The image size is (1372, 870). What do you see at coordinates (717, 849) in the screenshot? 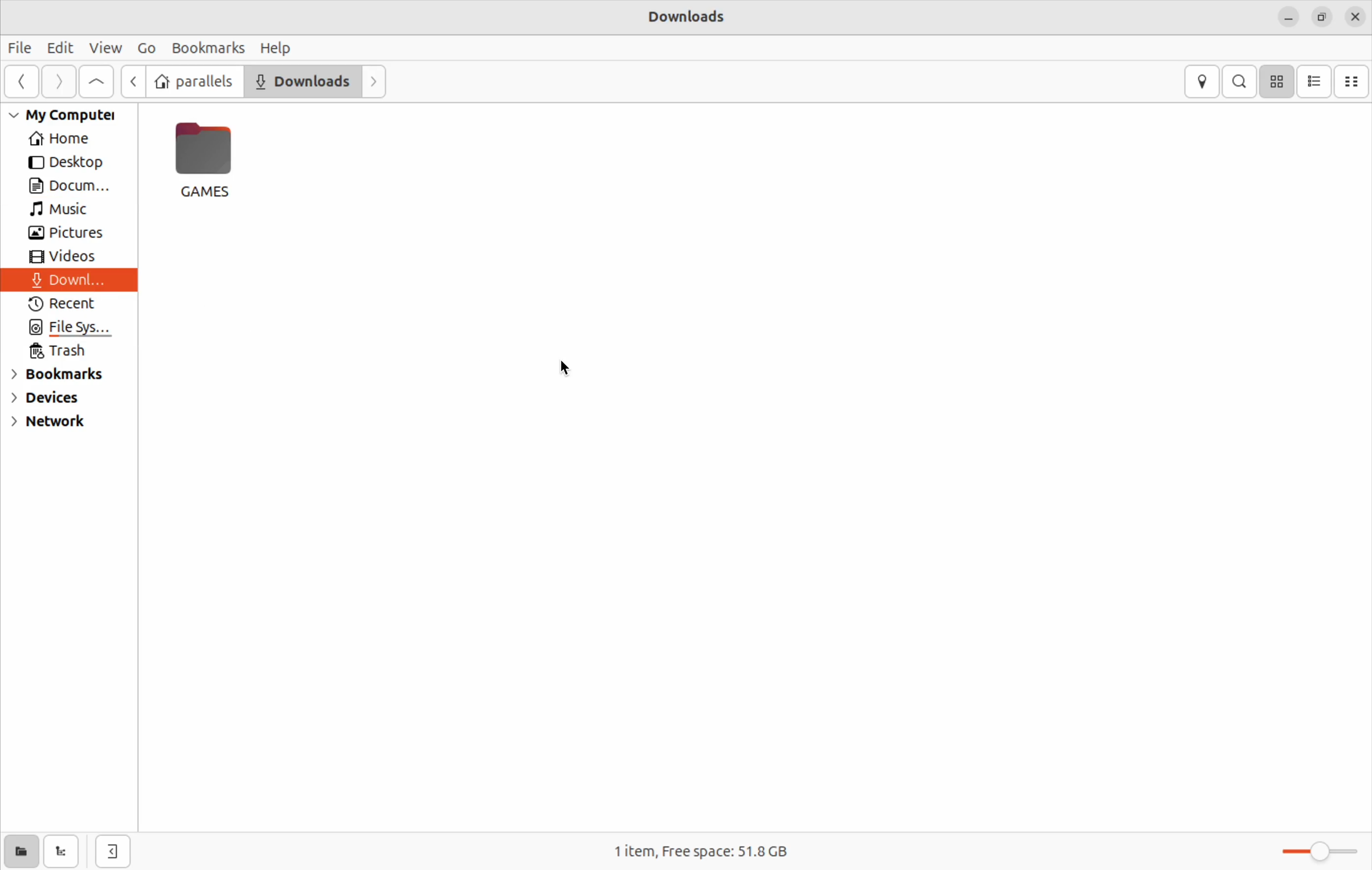
I see `1 item free space 51.8Gb` at bounding box center [717, 849].